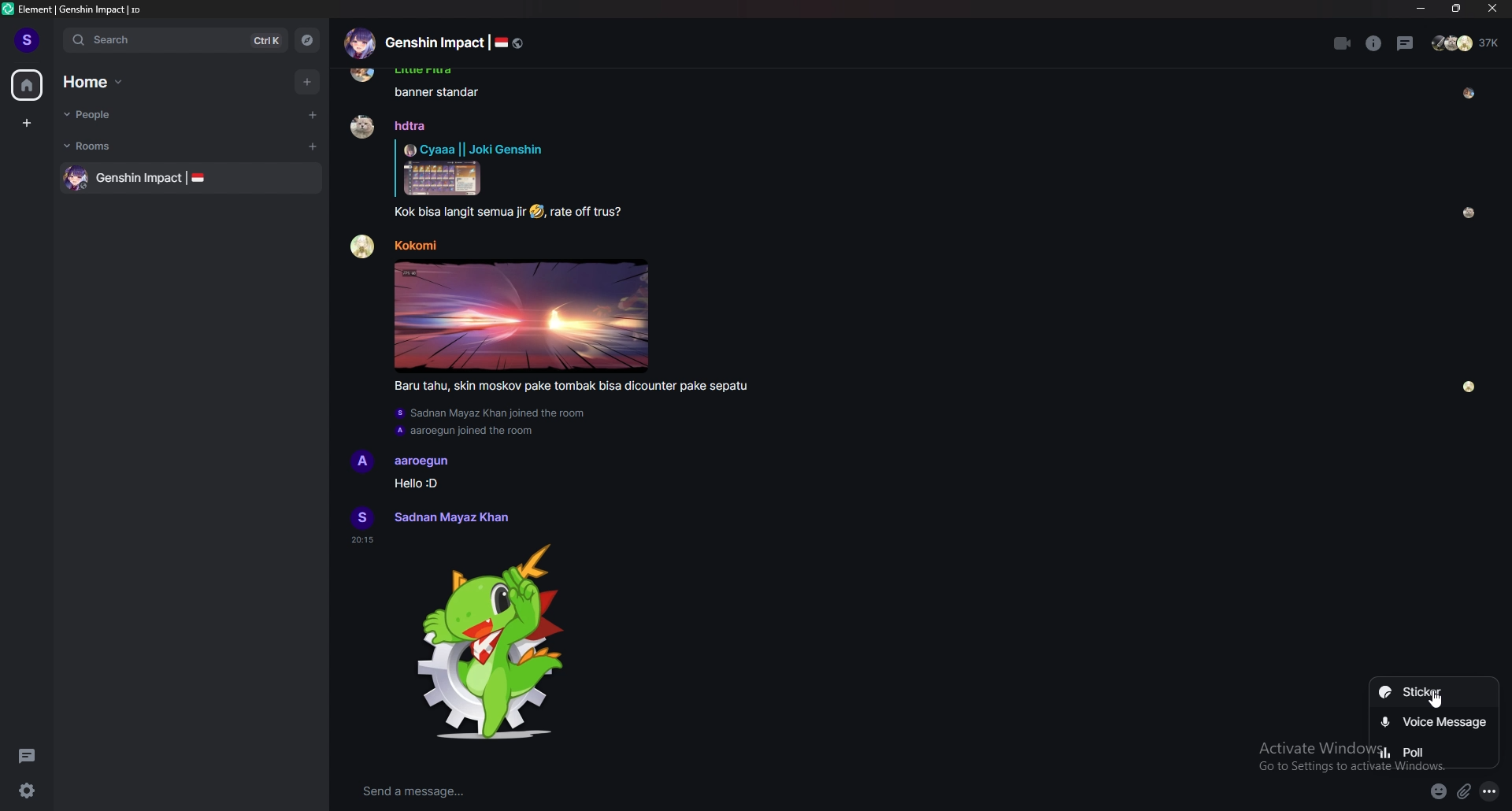  I want to click on info, so click(1374, 43).